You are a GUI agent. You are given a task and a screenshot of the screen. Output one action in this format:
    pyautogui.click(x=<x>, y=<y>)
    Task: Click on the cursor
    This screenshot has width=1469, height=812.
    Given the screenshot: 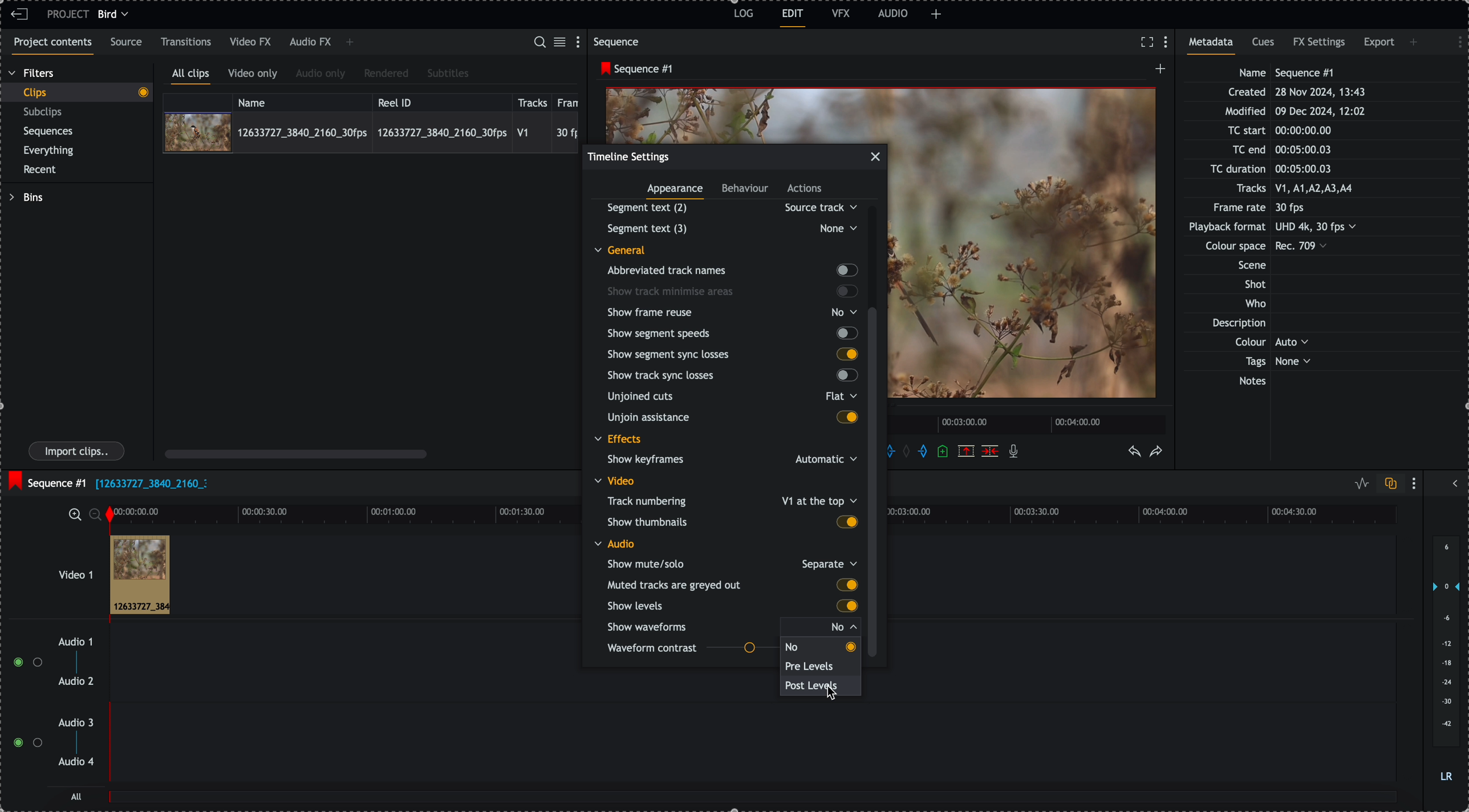 What is the action you would take?
    pyautogui.click(x=836, y=696)
    